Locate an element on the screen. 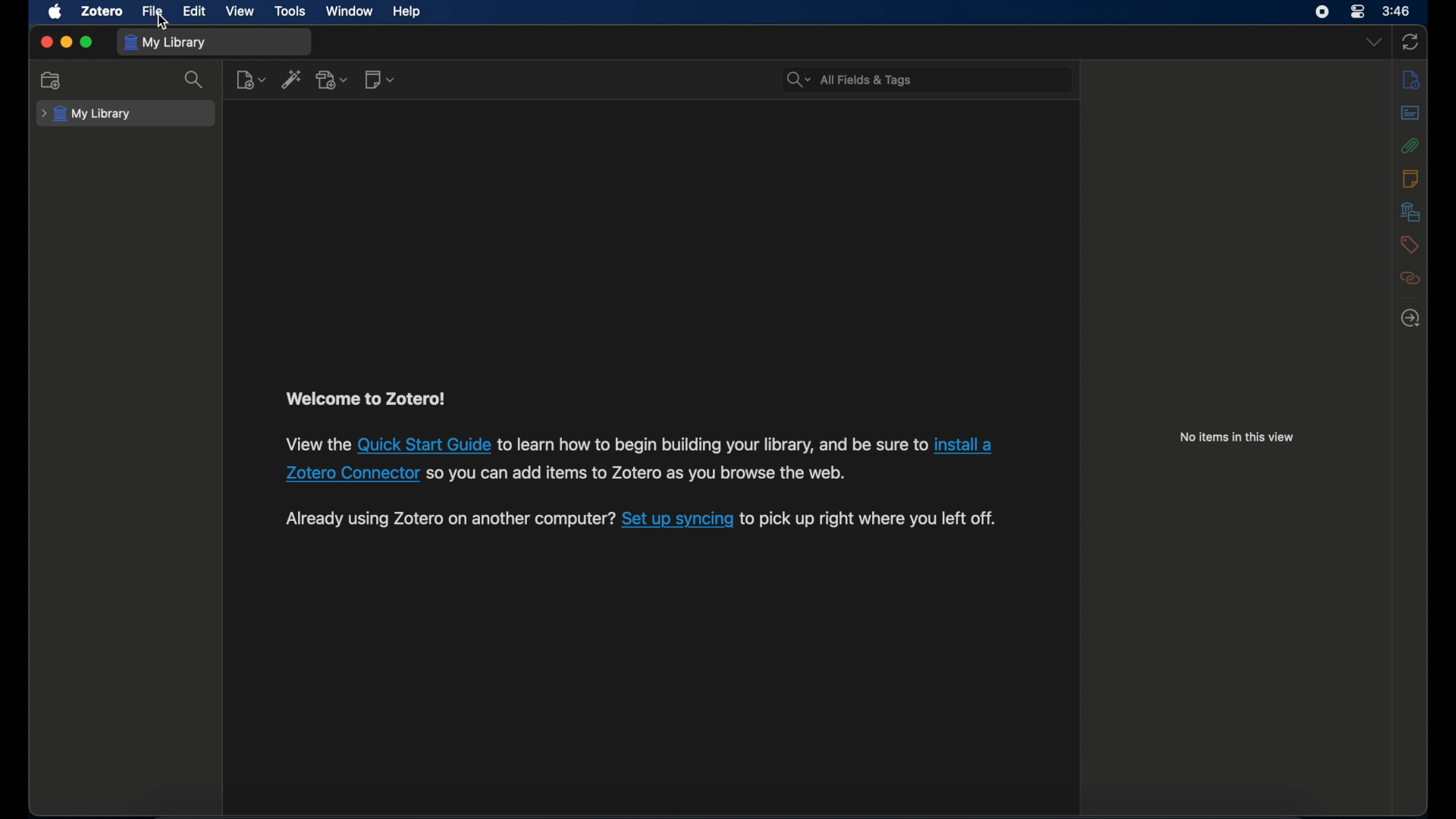 The width and height of the screenshot is (1456, 819). my library is located at coordinates (164, 43).